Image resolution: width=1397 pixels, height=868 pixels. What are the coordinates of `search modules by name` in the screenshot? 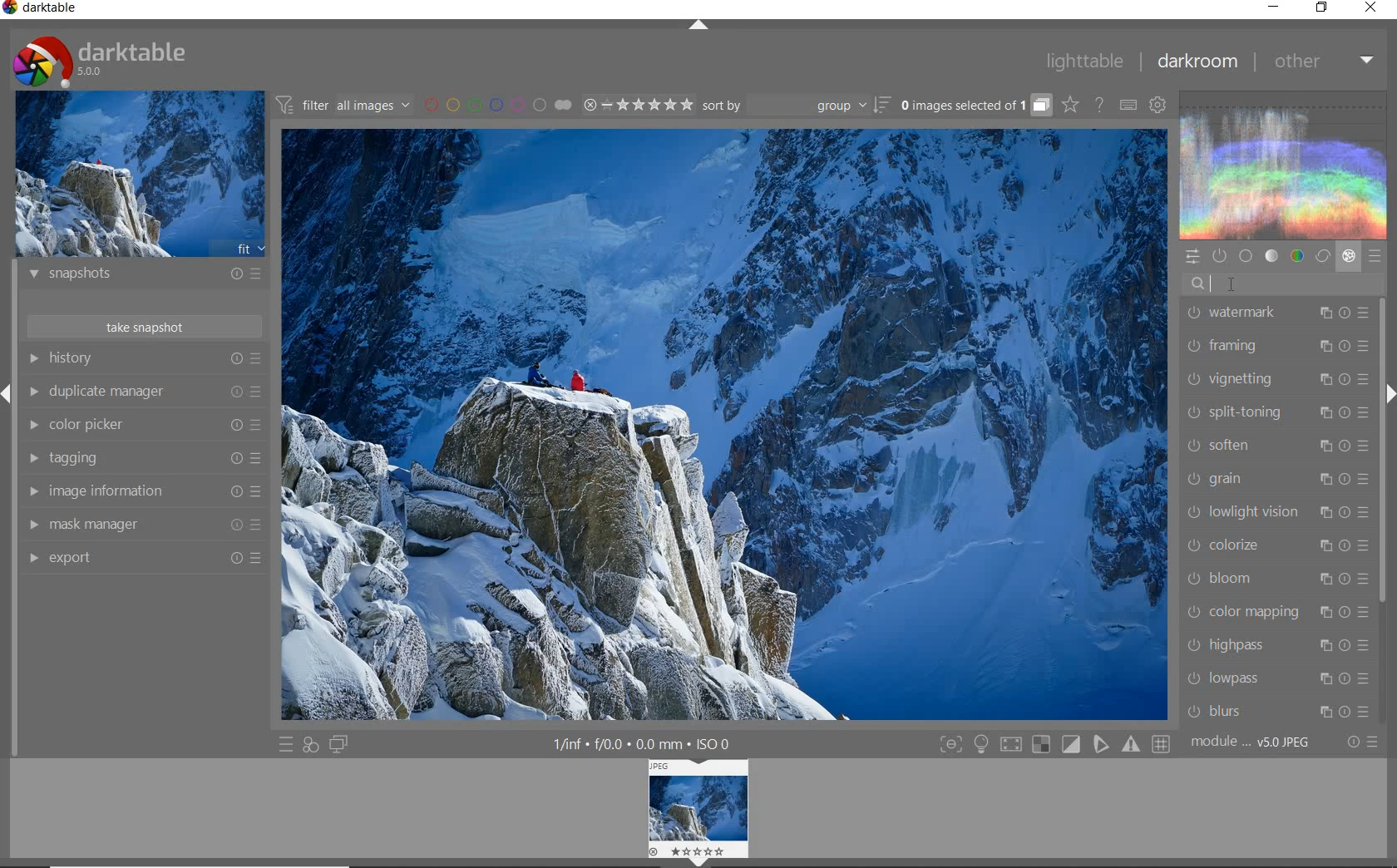 It's located at (1282, 283).